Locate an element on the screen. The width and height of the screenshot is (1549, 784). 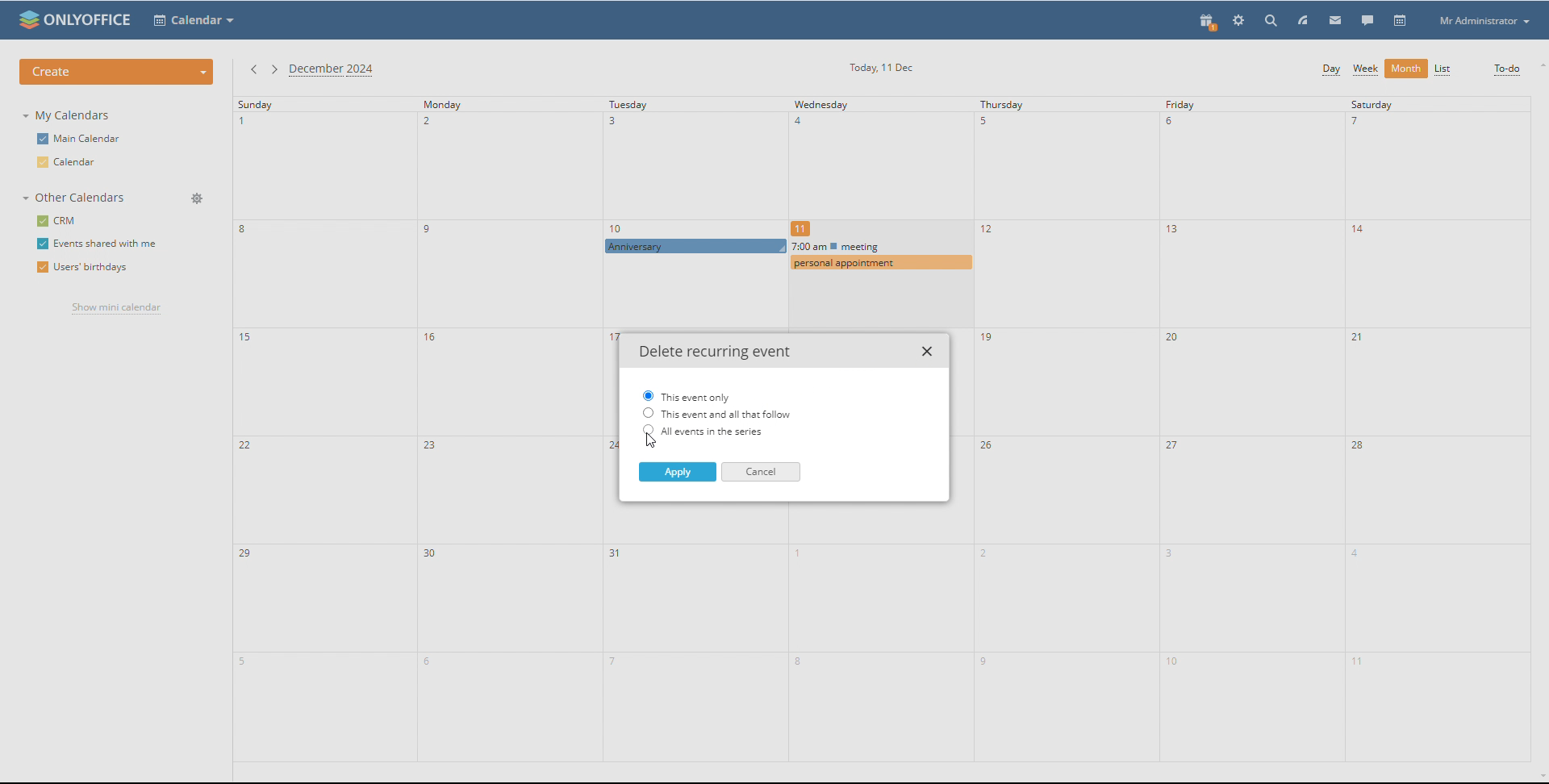
profile is located at coordinates (1483, 21).